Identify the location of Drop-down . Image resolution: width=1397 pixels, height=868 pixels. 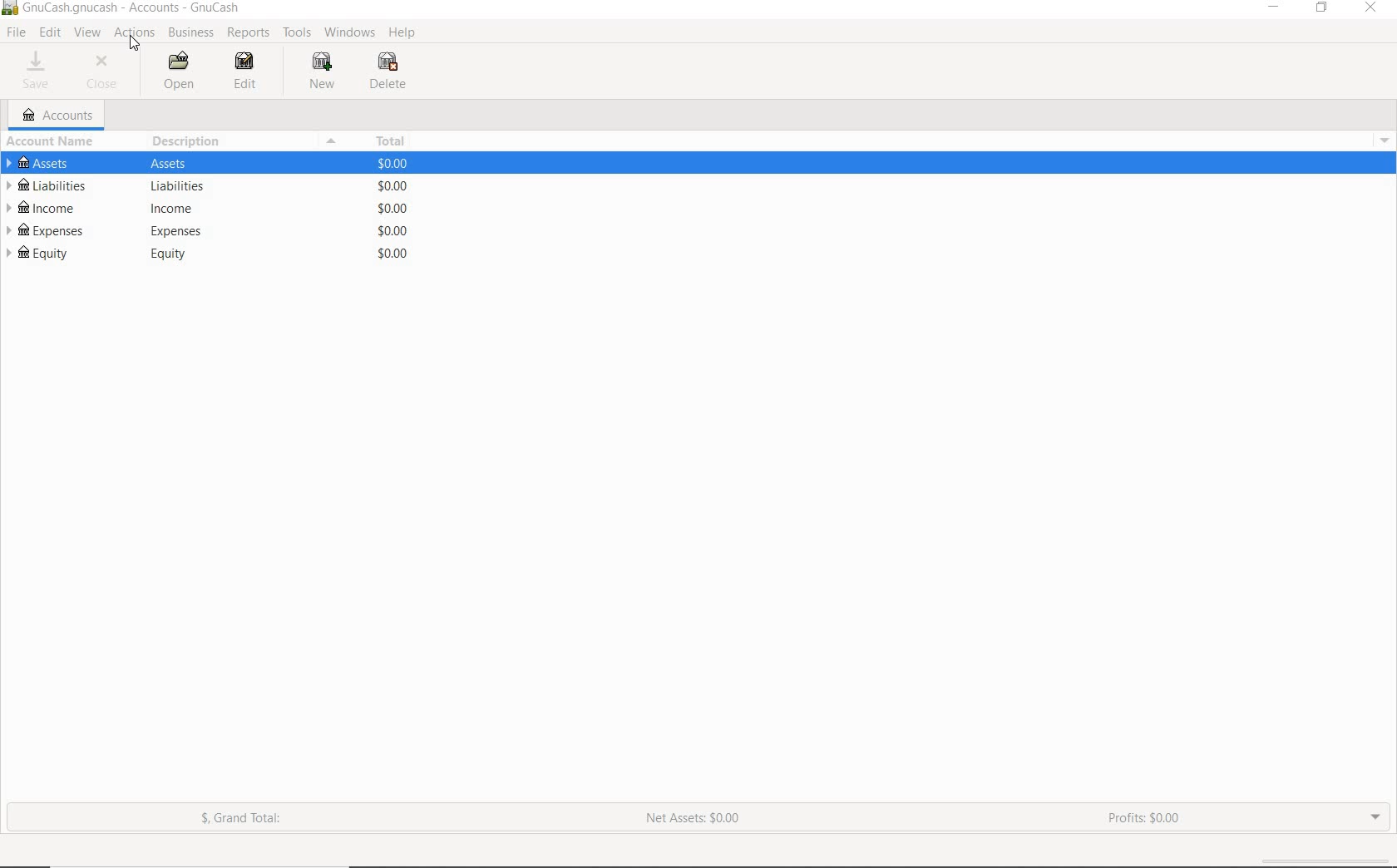
(1385, 141).